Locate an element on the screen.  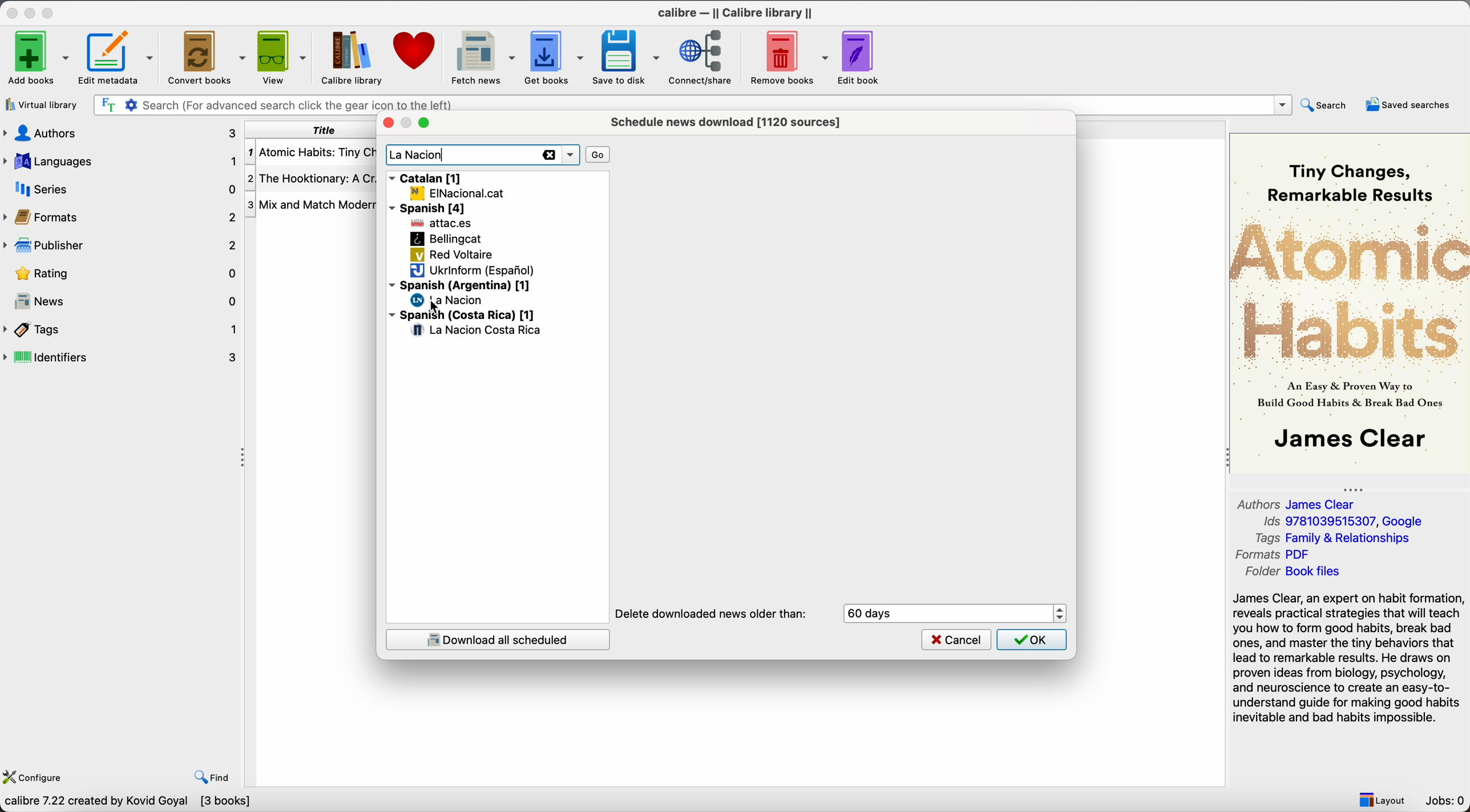
tags is located at coordinates (122, 330).